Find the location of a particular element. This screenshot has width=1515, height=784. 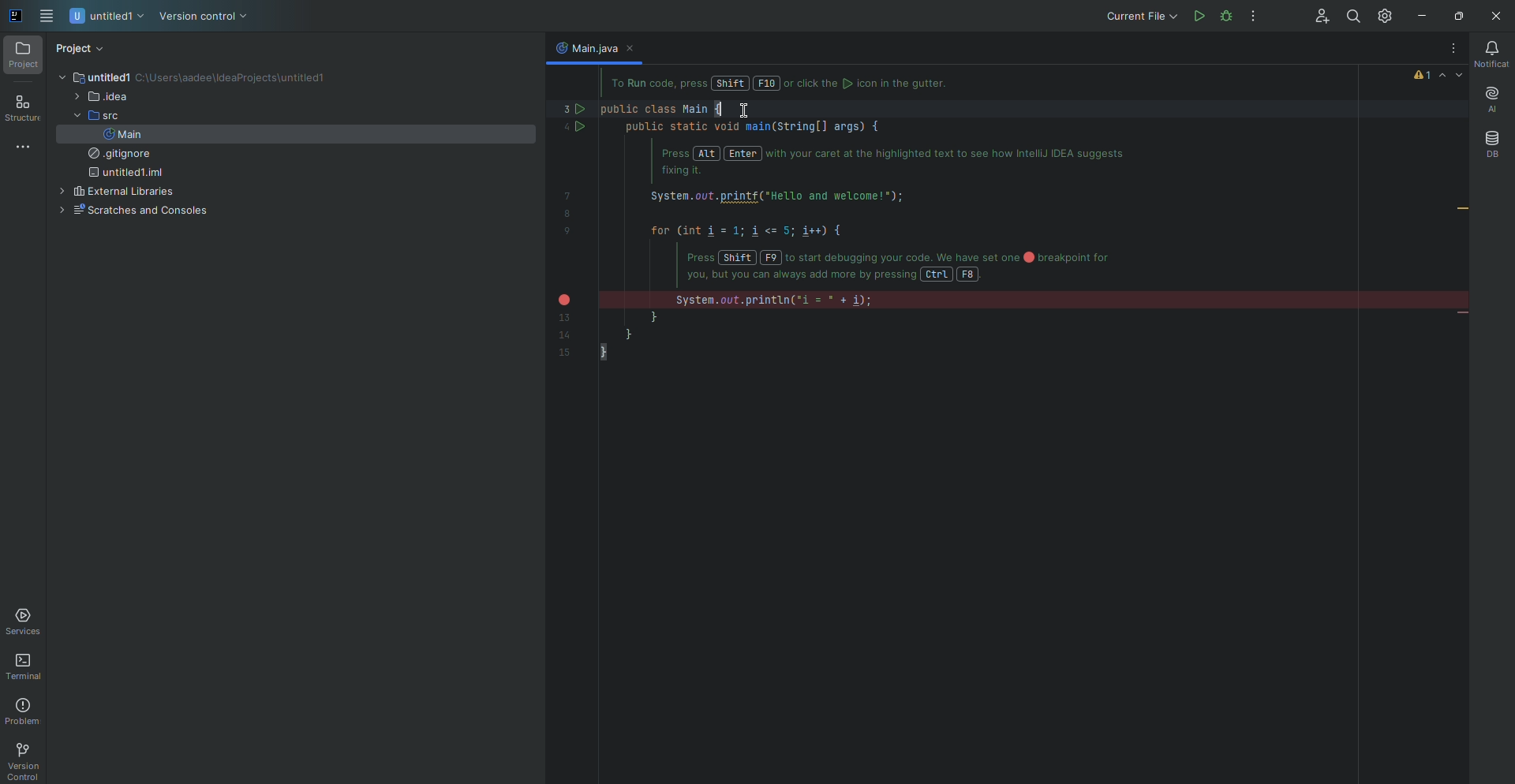

Minimize is located at coordinates (1418, 17).